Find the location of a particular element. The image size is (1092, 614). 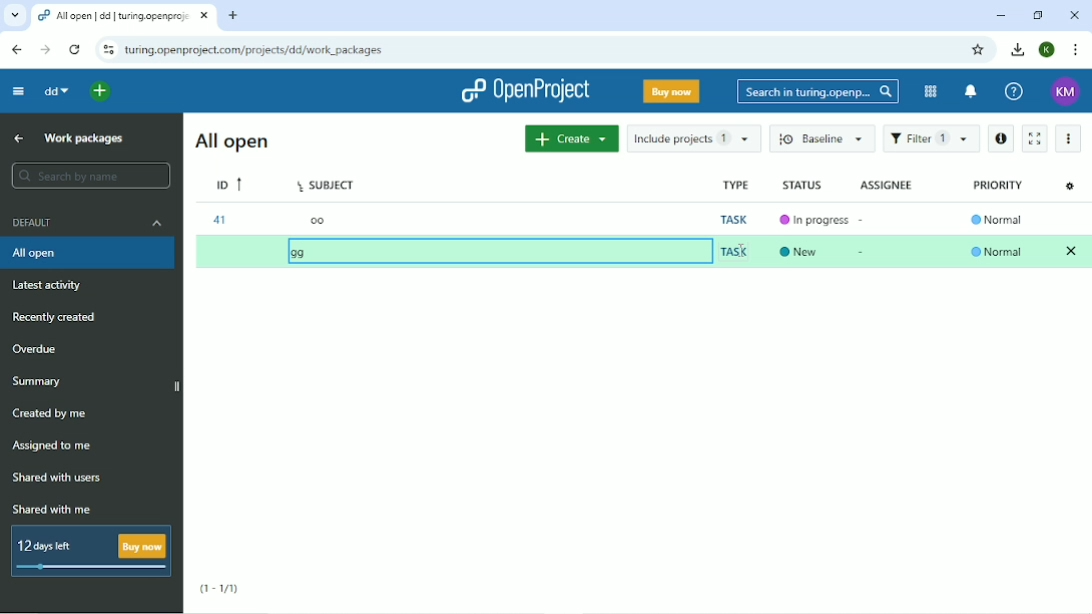

All open is located at coordinates (89, 254).